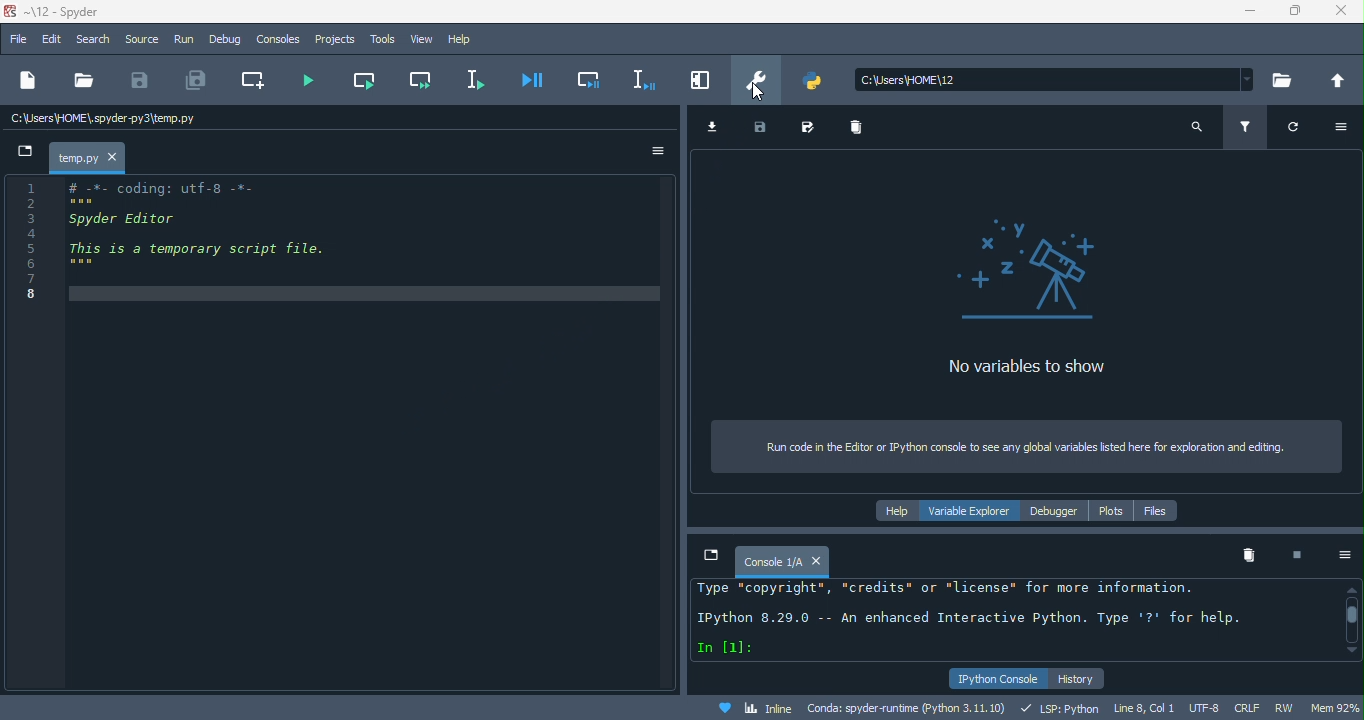 This screenshot has width=1364, height=720. Describe the element at coordinates (642, 79) in the screenshot. I see `debug selection` at that location.